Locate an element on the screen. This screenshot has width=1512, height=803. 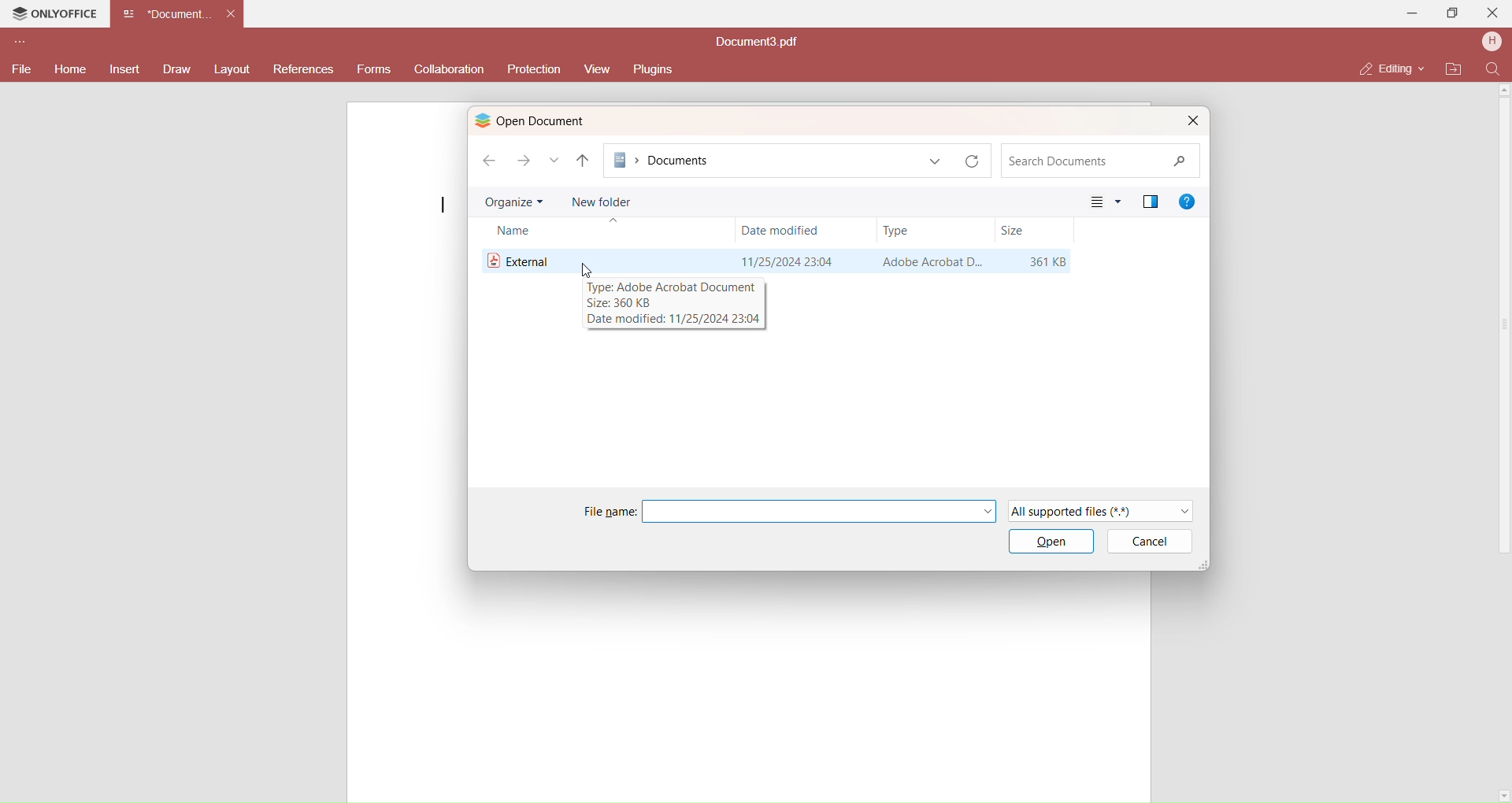
Referenecs is located at coordinates (303, 71).